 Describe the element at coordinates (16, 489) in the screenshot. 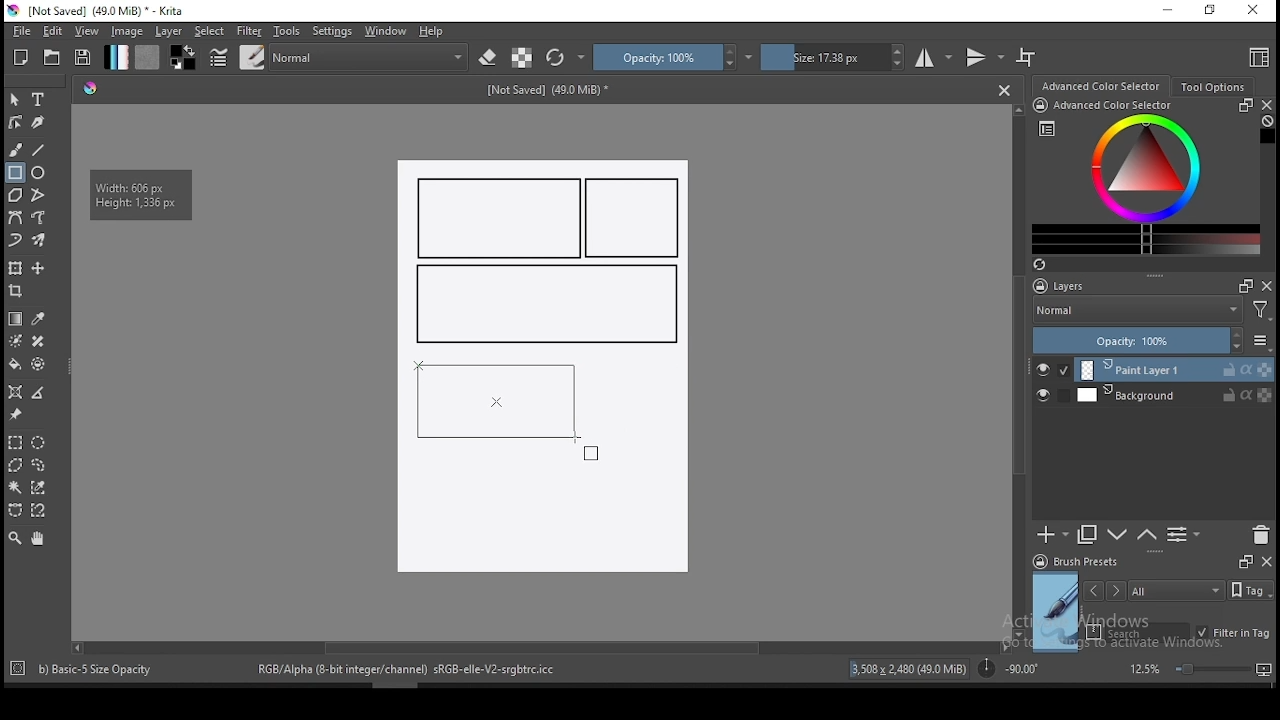

I see `contiguous selection tool` at that location.